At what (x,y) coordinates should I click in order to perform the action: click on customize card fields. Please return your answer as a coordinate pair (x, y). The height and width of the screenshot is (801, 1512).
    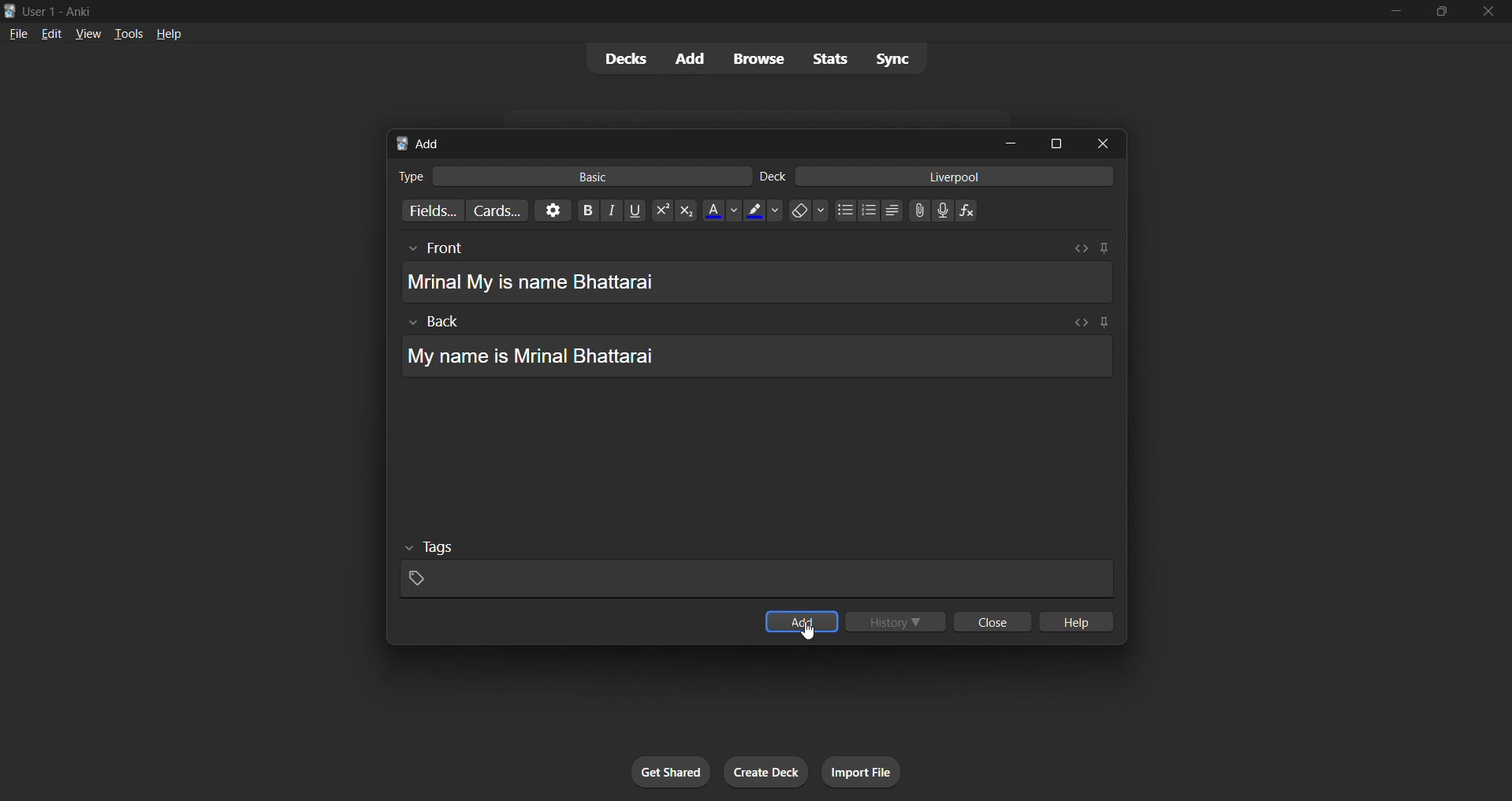
    Looking at the image, I should click on (430, 210).